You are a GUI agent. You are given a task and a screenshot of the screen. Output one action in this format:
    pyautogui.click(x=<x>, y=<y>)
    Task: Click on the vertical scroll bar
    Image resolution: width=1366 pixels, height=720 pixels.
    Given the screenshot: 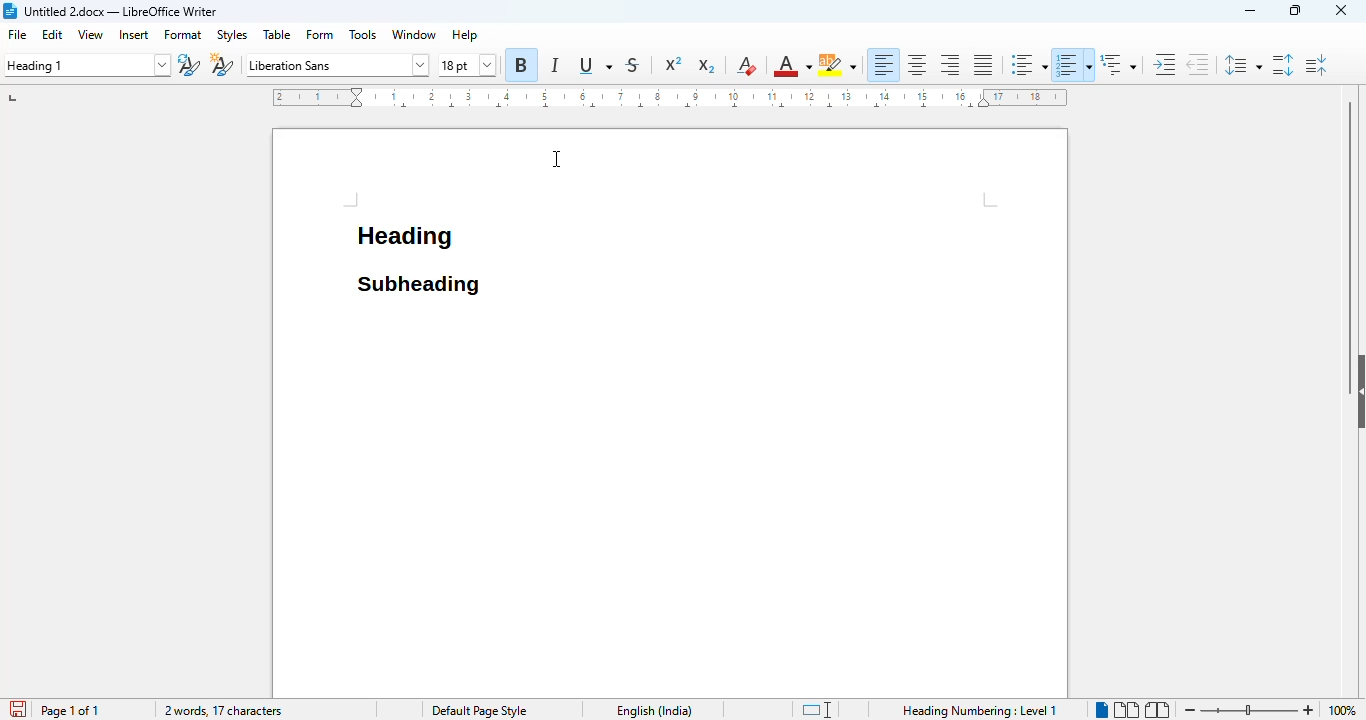 What is the action you would take?
    pyautogui.click(x=1351, y=216)
    